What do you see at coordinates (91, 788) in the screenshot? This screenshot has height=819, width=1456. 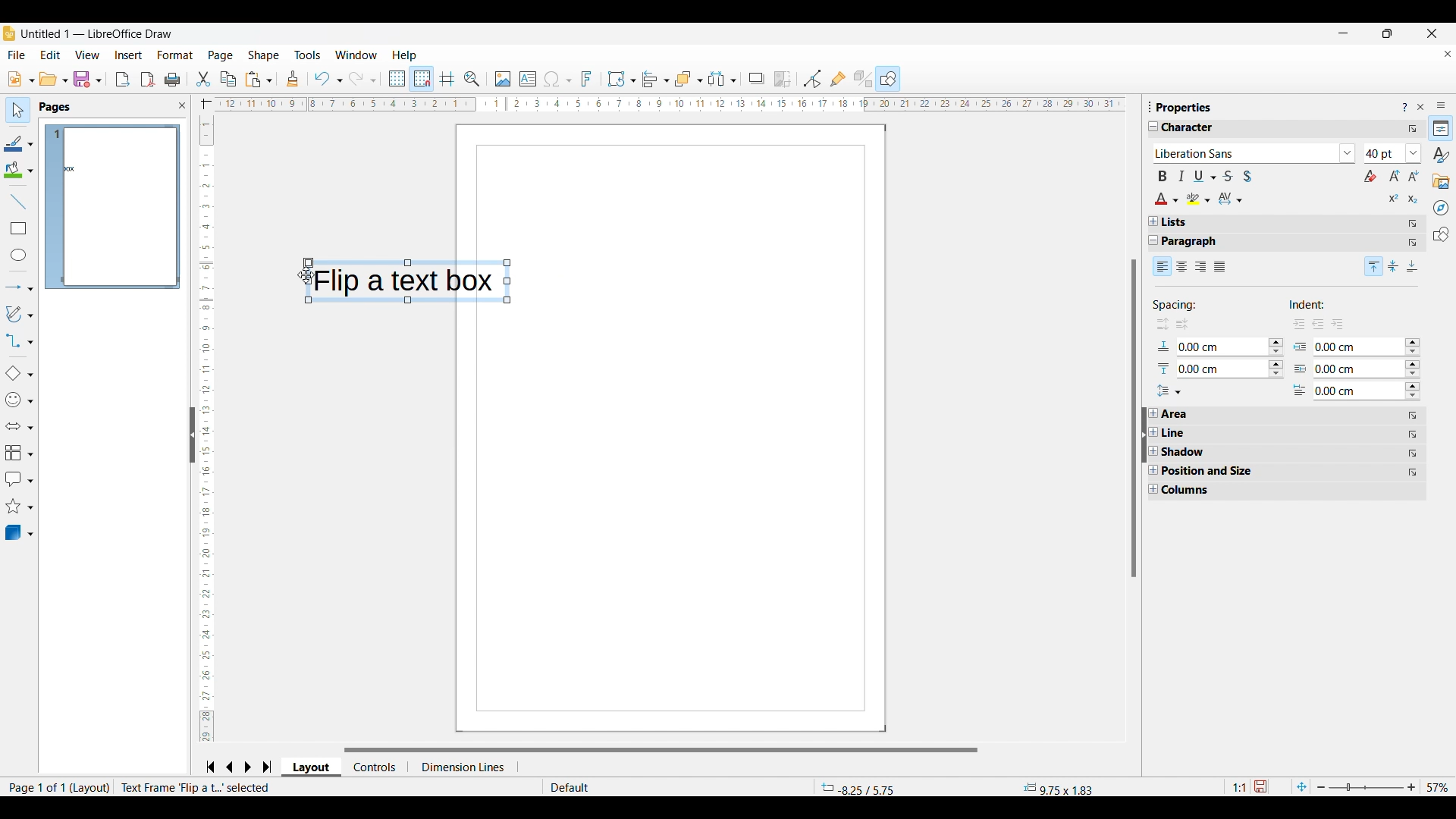 I see `layout` at bounding box center [91, 788].